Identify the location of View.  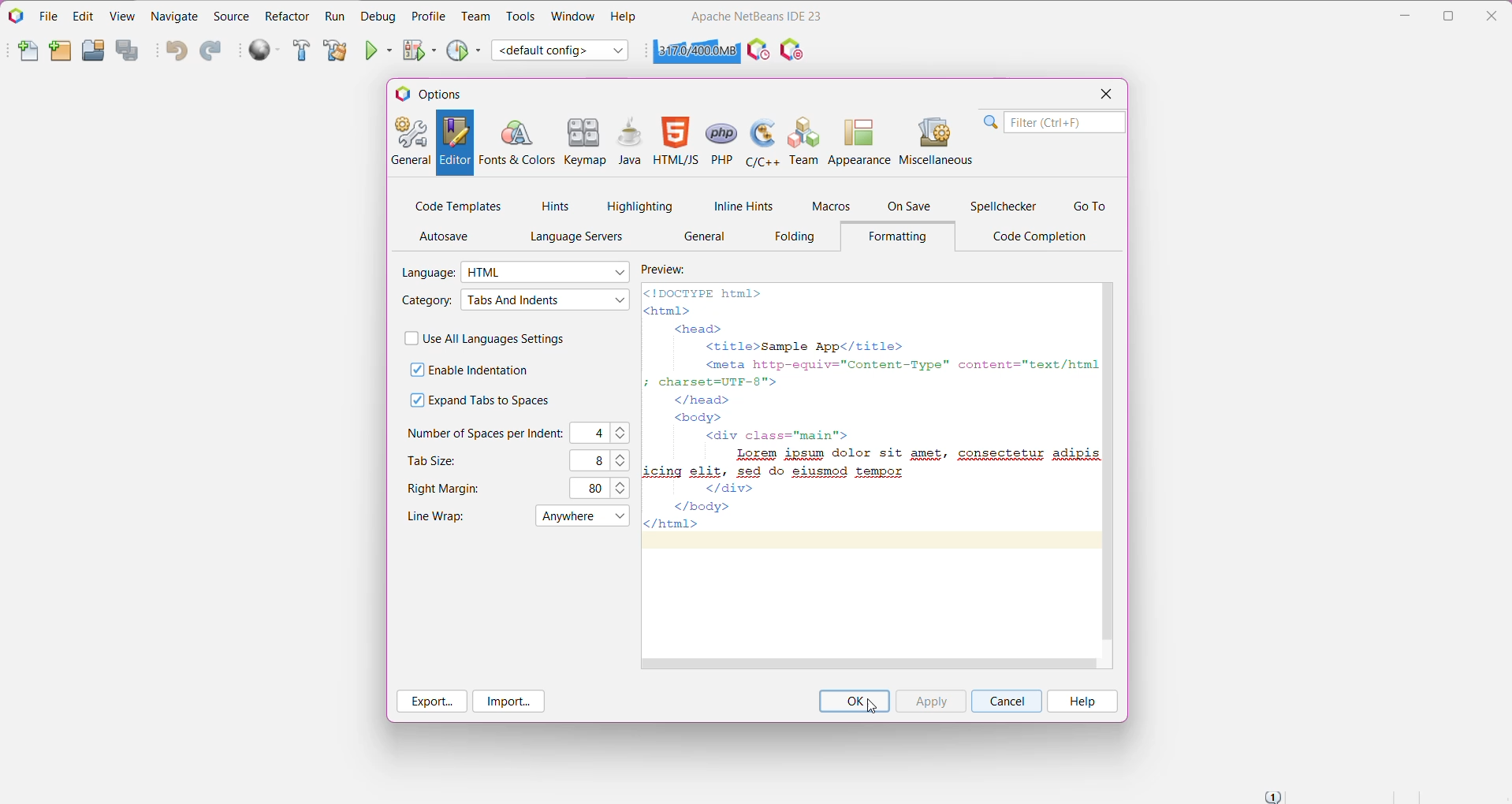
(124, 15).